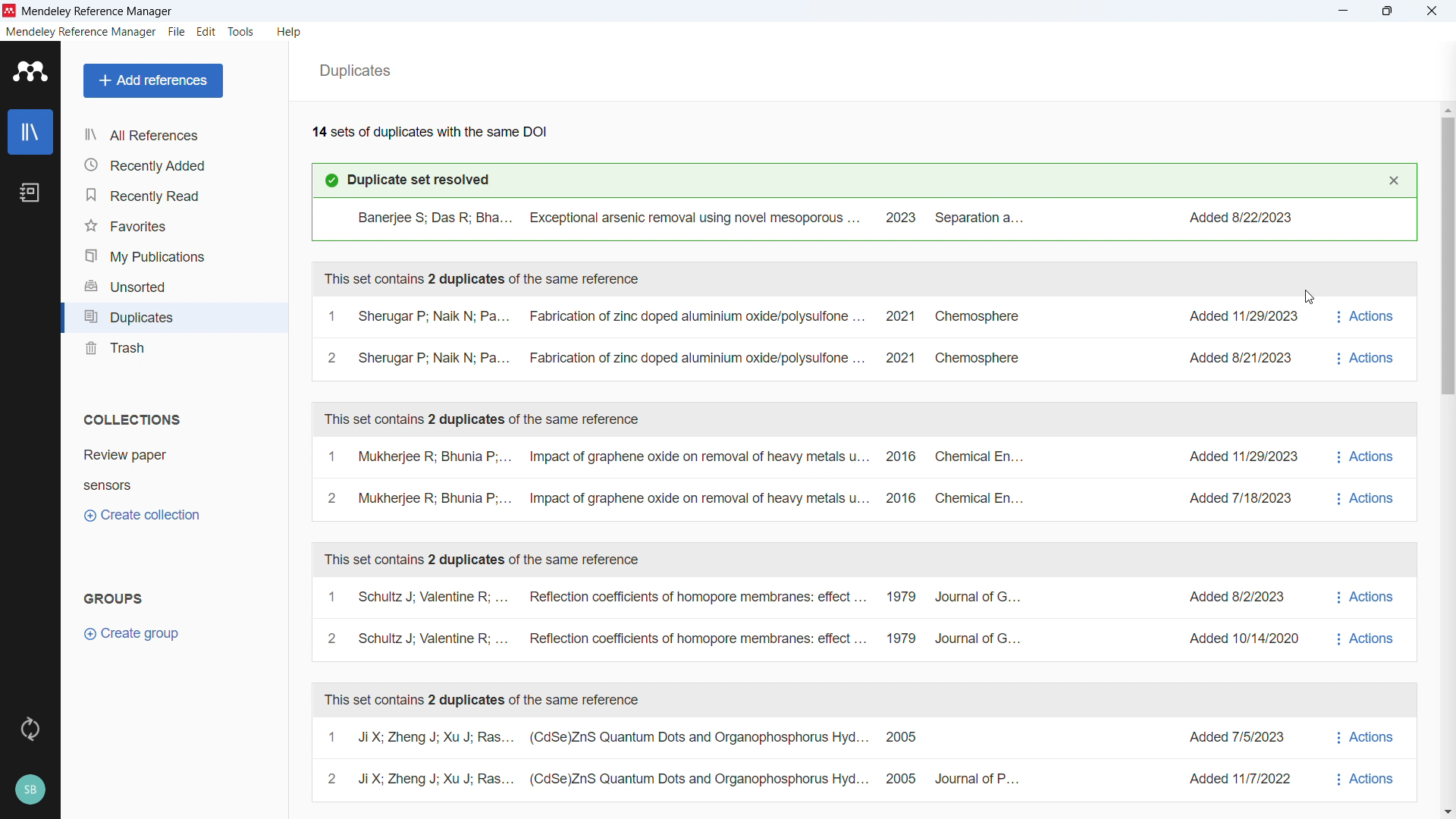  Describe the element at coordinates (1236, 361) in the screenshot. I see `Added 8/21/2023` at that location.